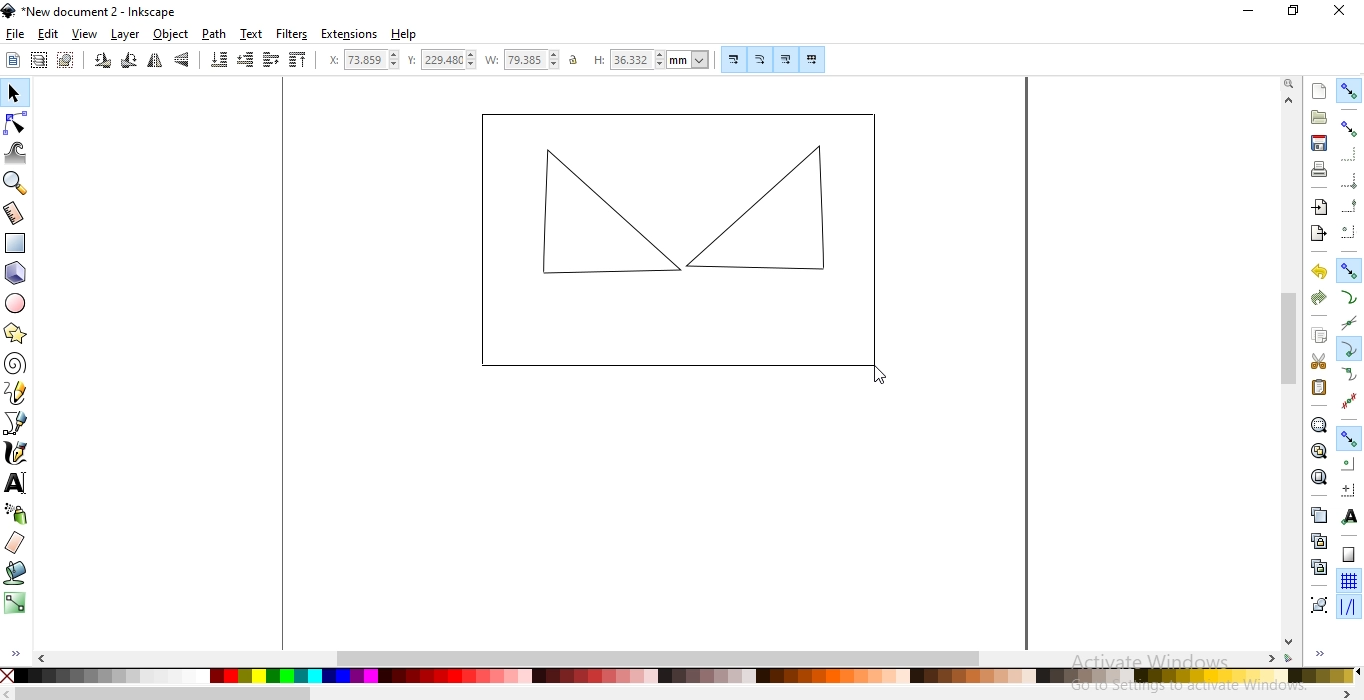 The image size is (1364, 700). I want to click on snap guide, so click(1350, 607).